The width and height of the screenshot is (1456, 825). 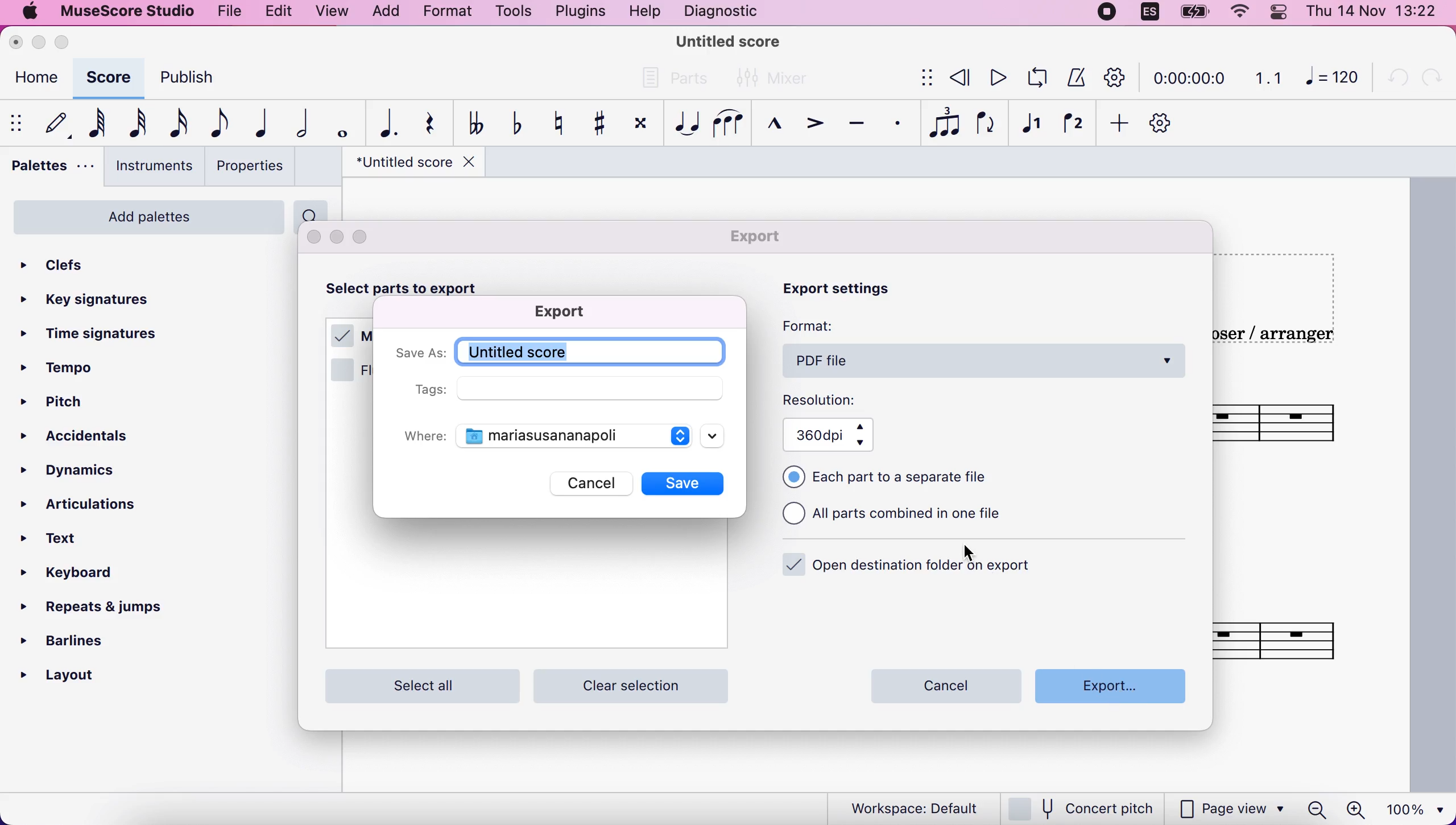 What do you see at coordinates (772, 127) in the screenshot?
I see `marcato` at bounding box center [772, 127].